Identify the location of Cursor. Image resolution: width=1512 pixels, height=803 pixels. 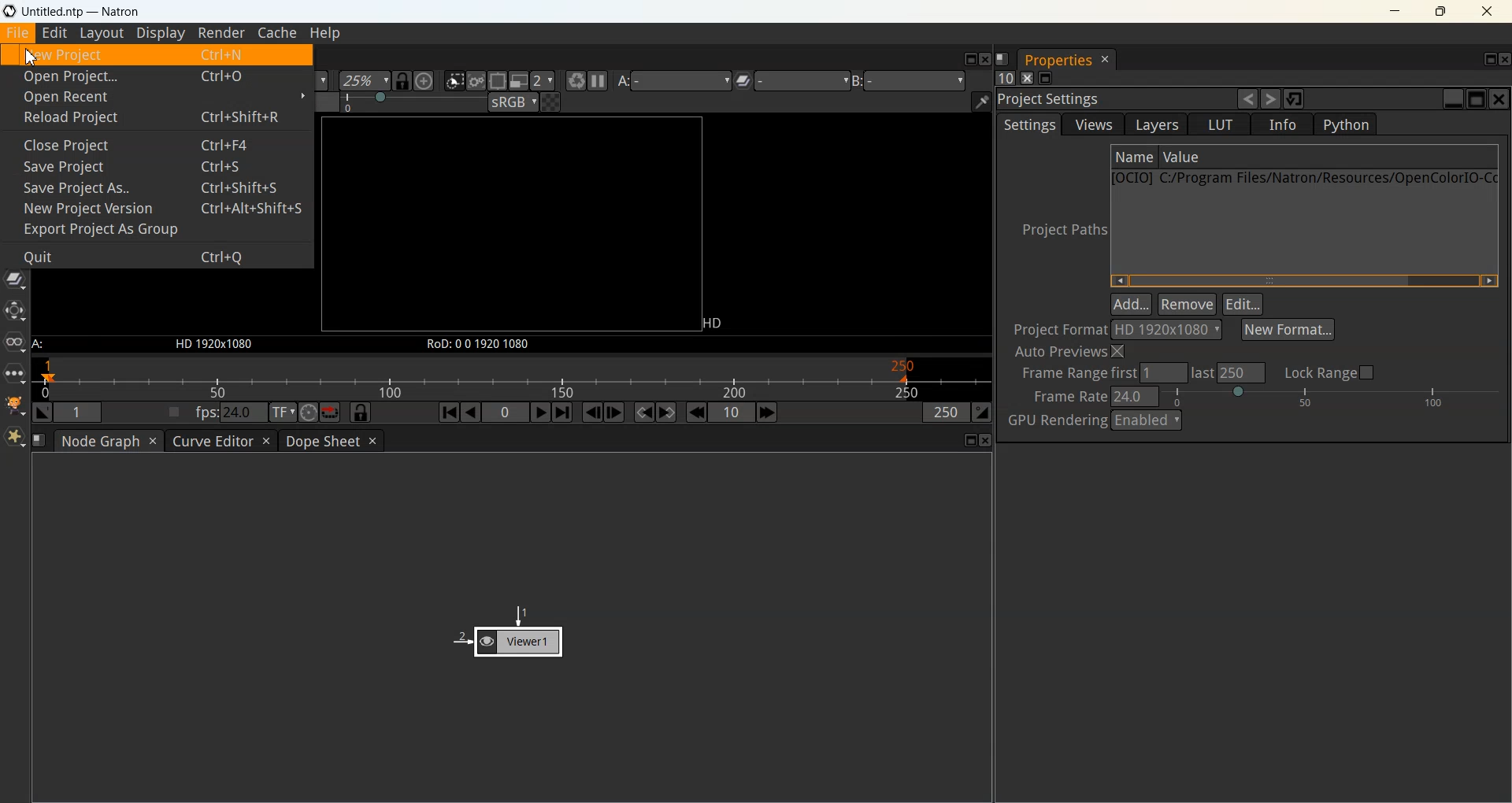
(31, 57).